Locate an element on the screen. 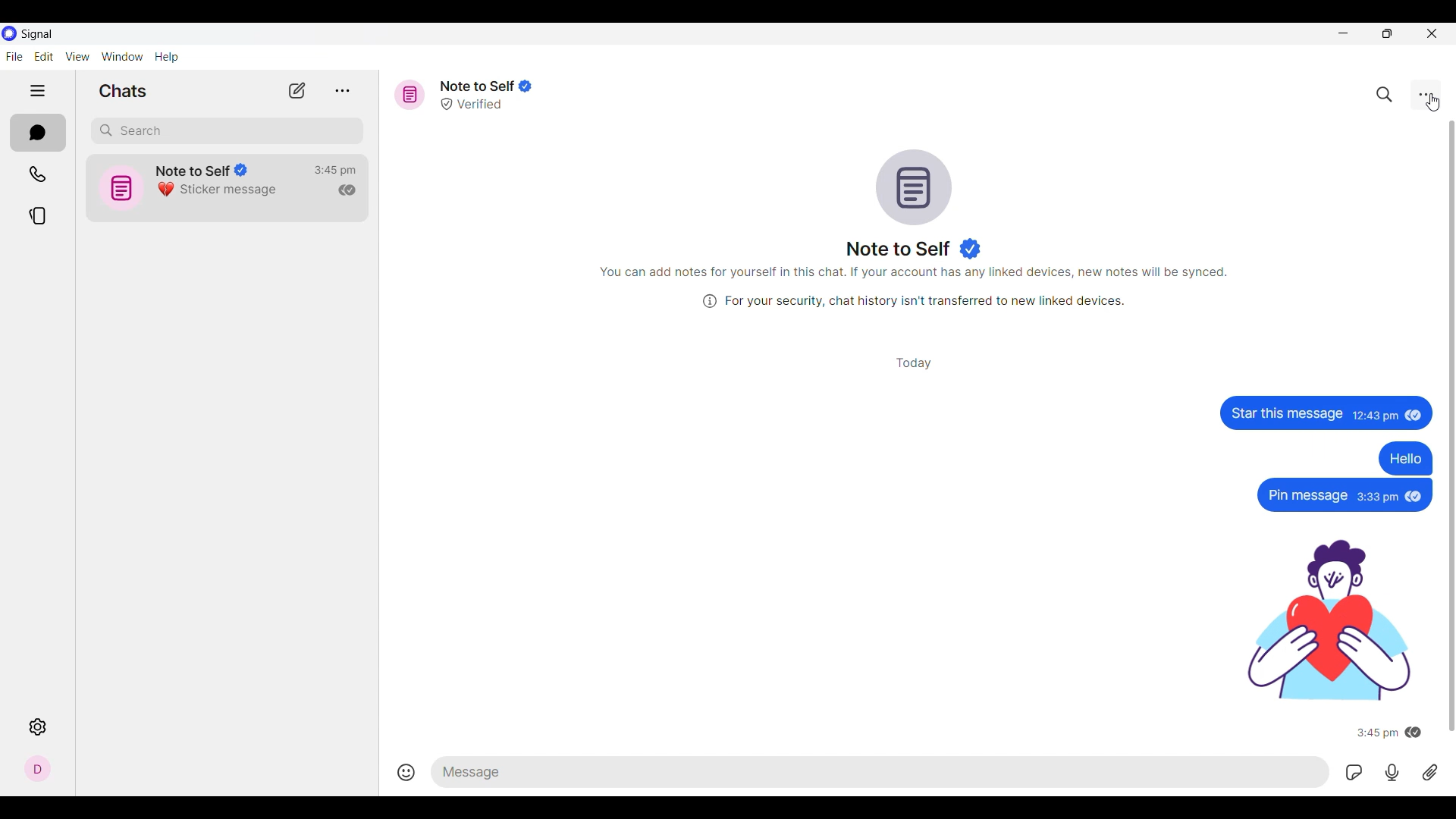  View menu is located at coordinates (77, 56).